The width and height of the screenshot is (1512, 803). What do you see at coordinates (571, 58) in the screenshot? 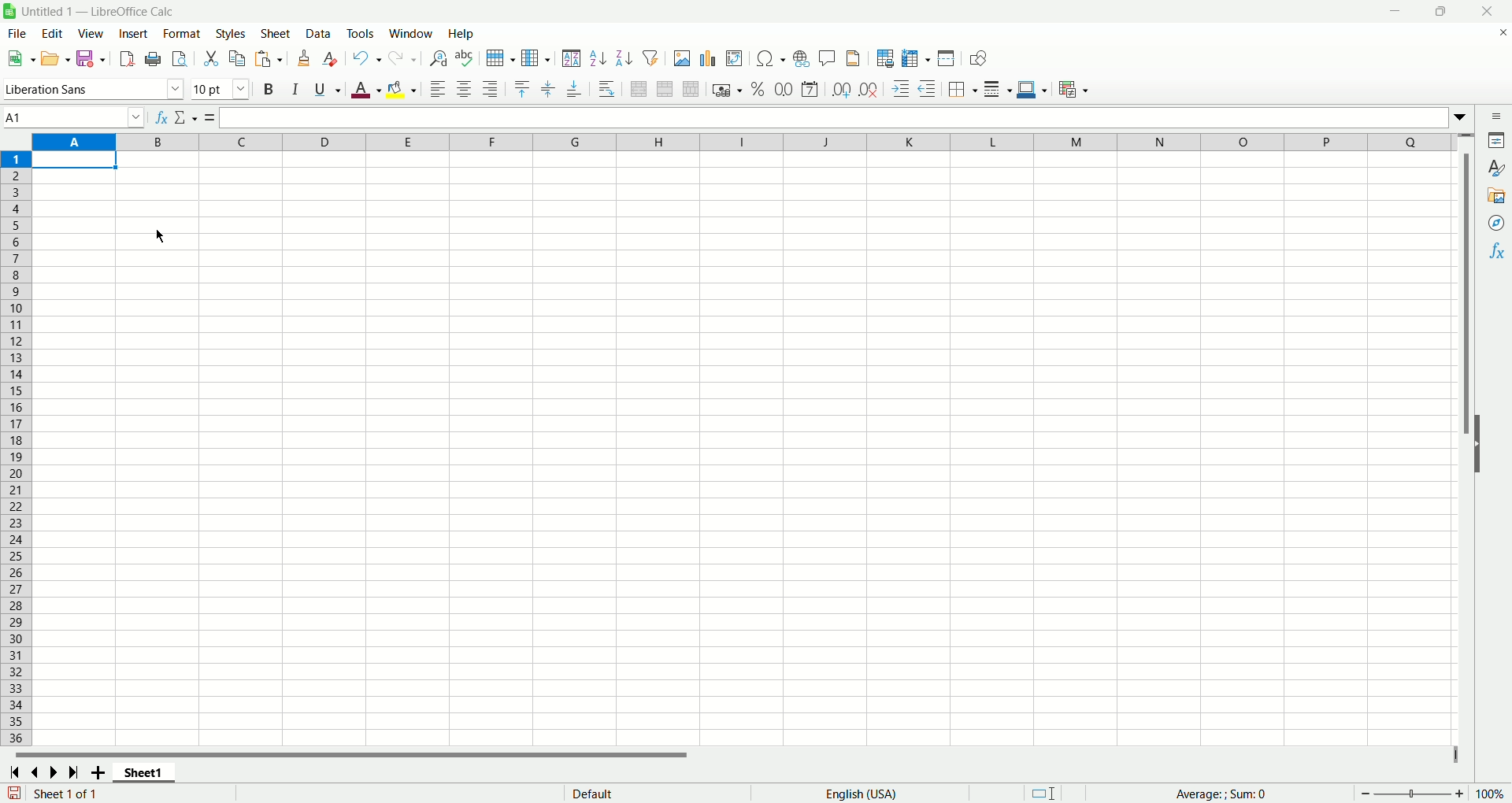
I see `sort` at bounding box center [571, 58].